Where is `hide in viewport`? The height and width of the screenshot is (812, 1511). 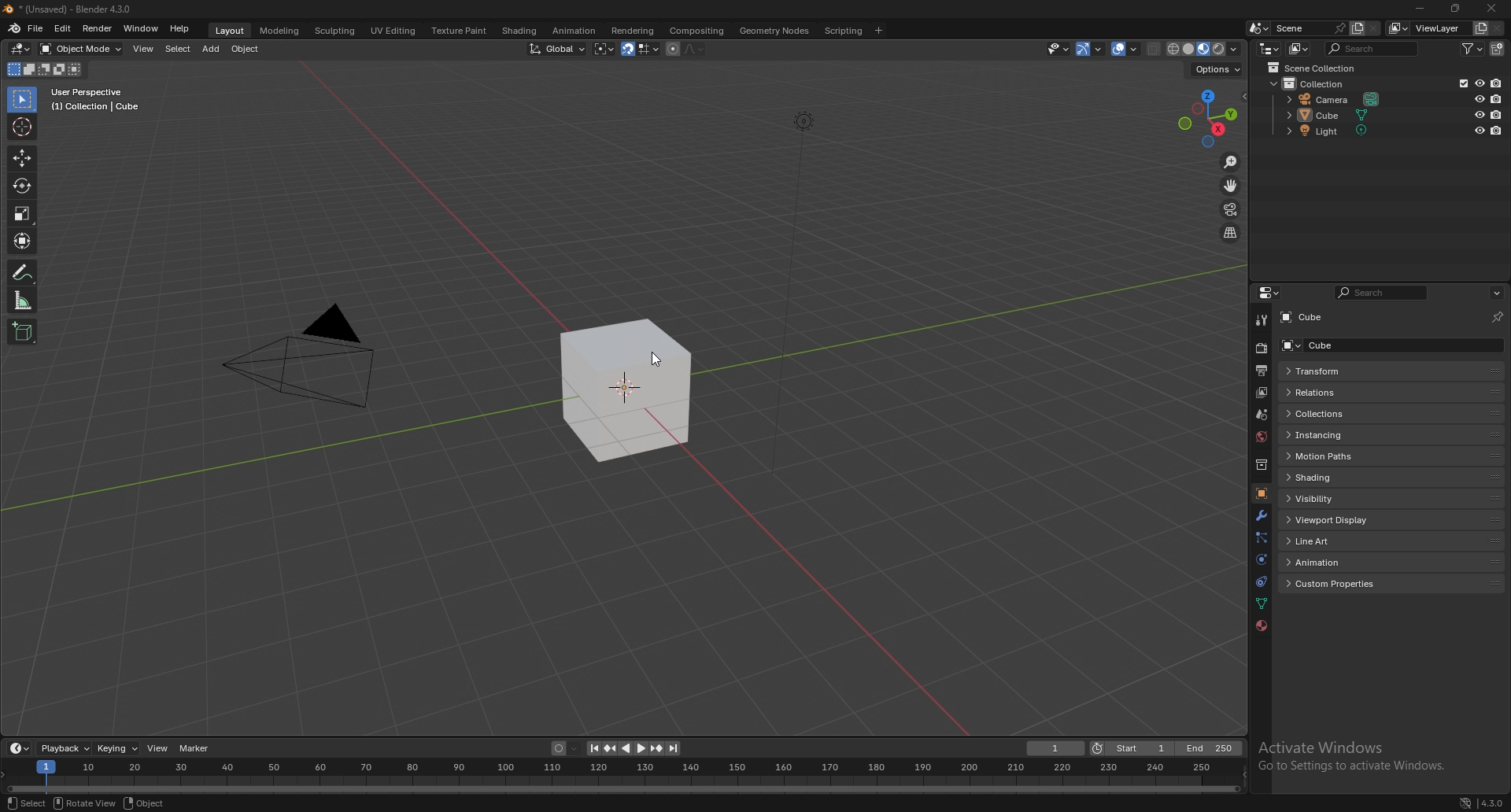
hide in viewport is located at coordinates (1480, 82).